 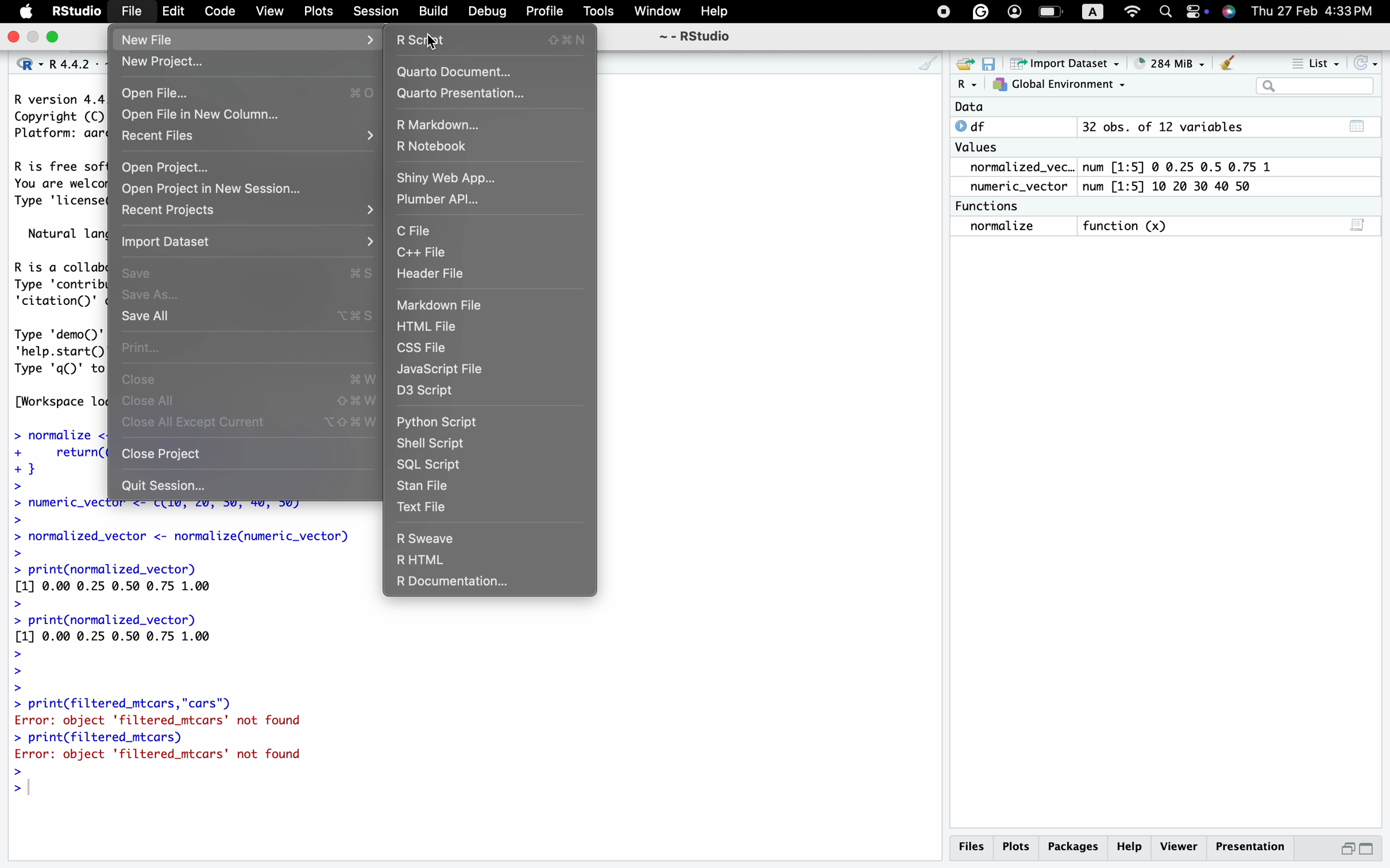 What do you see at coordinates (252, 379) in the screenshot?
I see `Close` at bounding box center [252, 379].